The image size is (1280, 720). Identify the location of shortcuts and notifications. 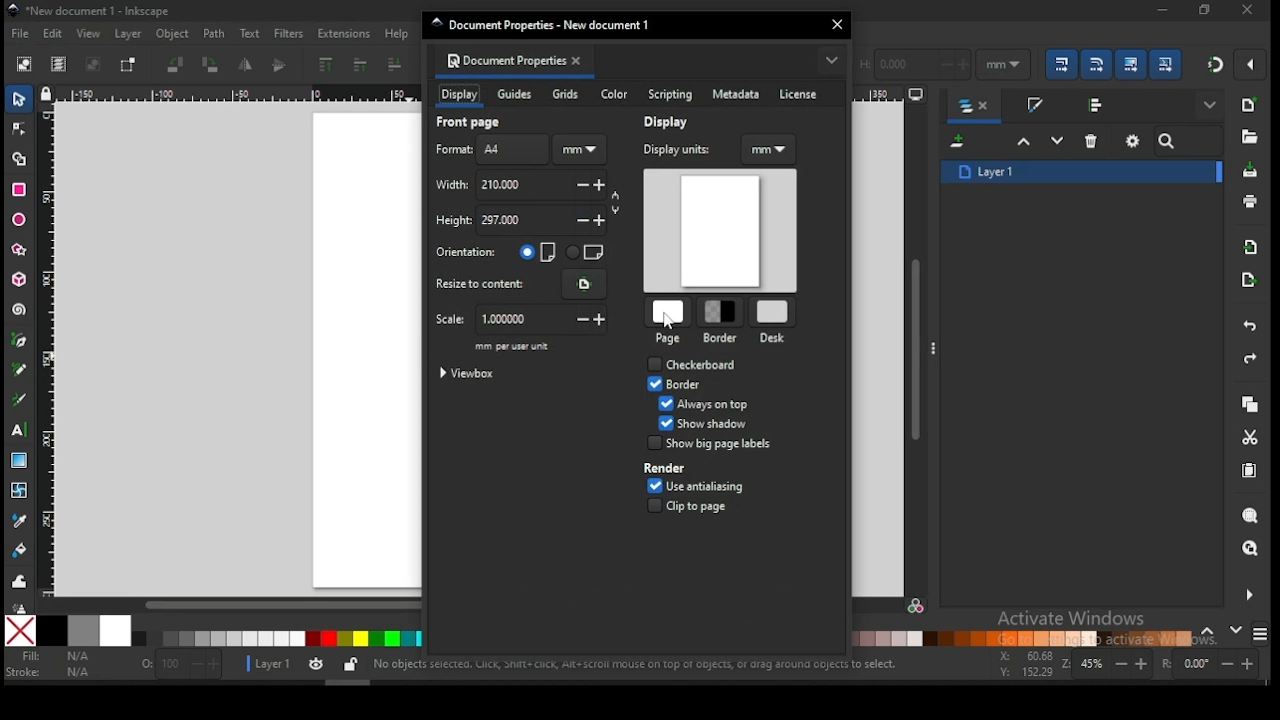
(634, 665).